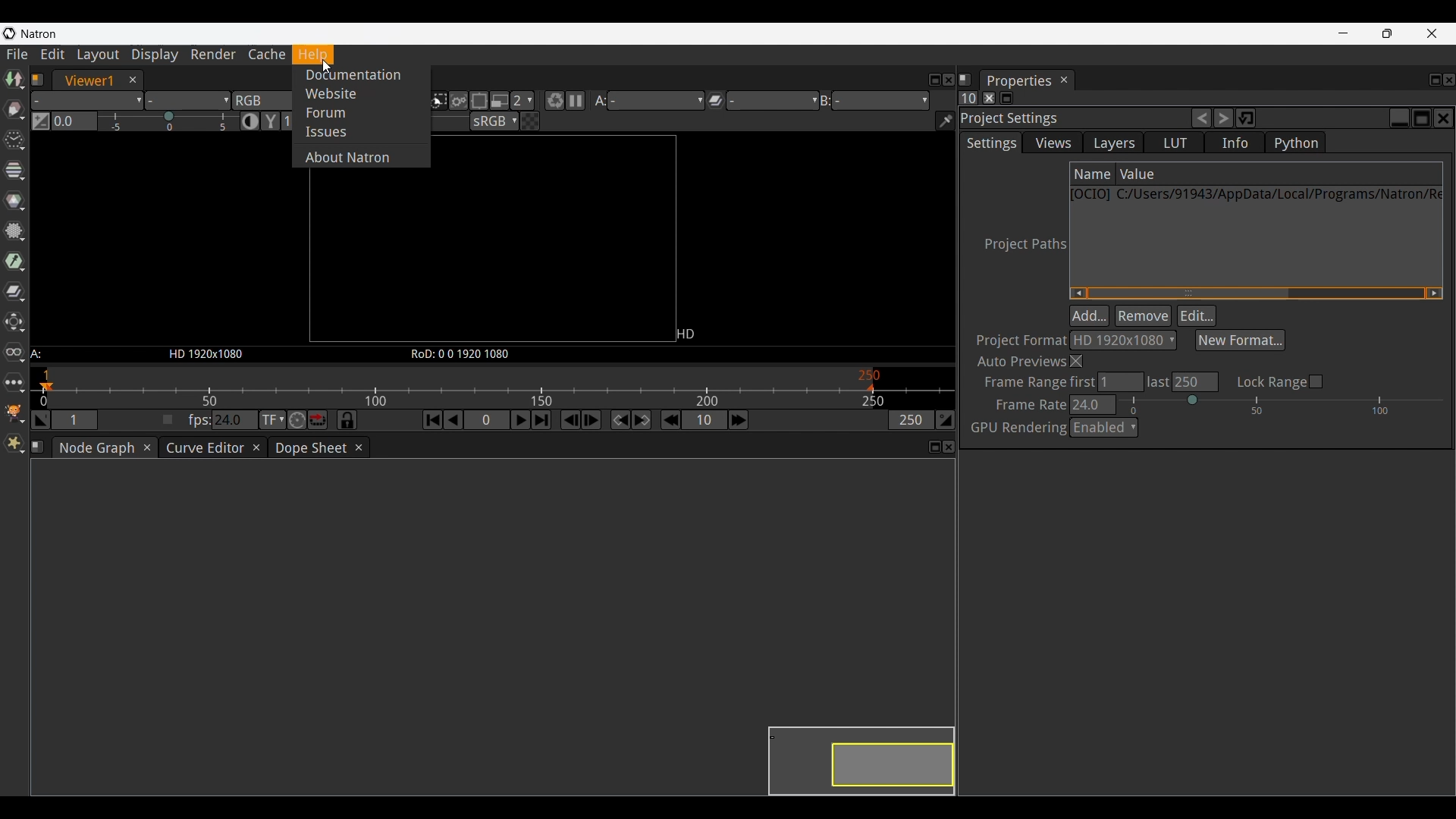 The width and height of the screenshot is (1456, 819). What do you see at coordinates (1093, 174) in the screenshot?
I see `Name ` at bounding box center [1093, 174].